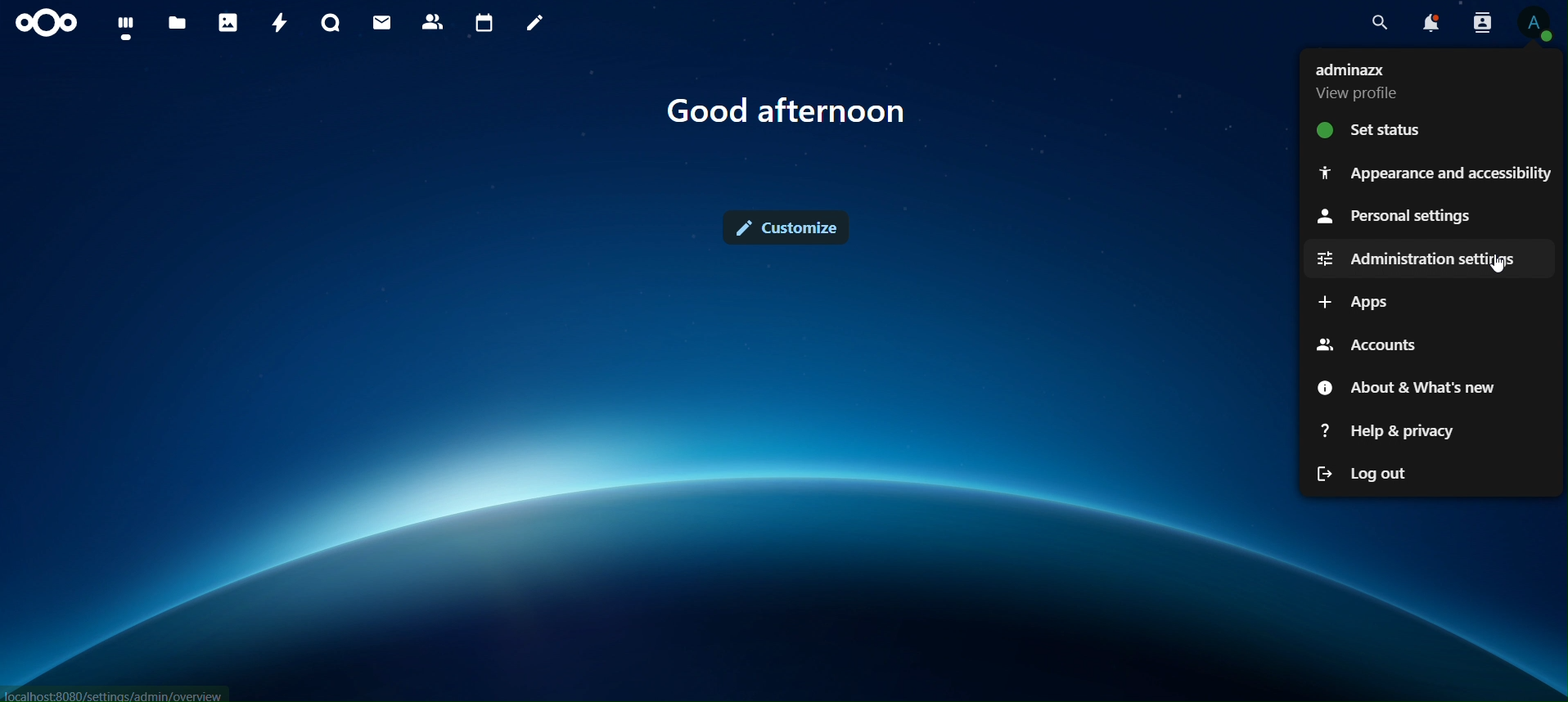  Describe the element at coordinates (381, 22) in the screenshot. I see `mail` at that location.